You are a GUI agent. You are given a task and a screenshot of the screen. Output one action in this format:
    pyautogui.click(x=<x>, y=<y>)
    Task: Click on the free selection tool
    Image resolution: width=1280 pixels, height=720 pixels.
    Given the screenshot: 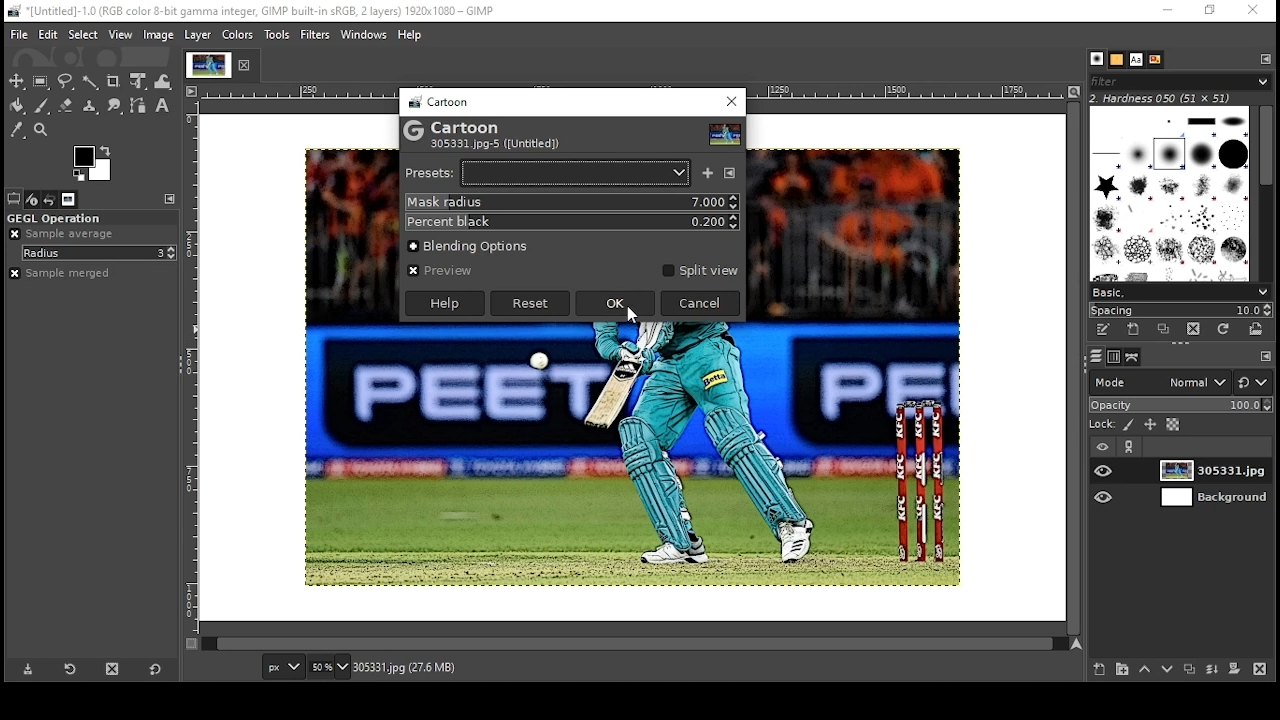 What is the action you would take?
    pyautogui.click(x=67, y=81)
    